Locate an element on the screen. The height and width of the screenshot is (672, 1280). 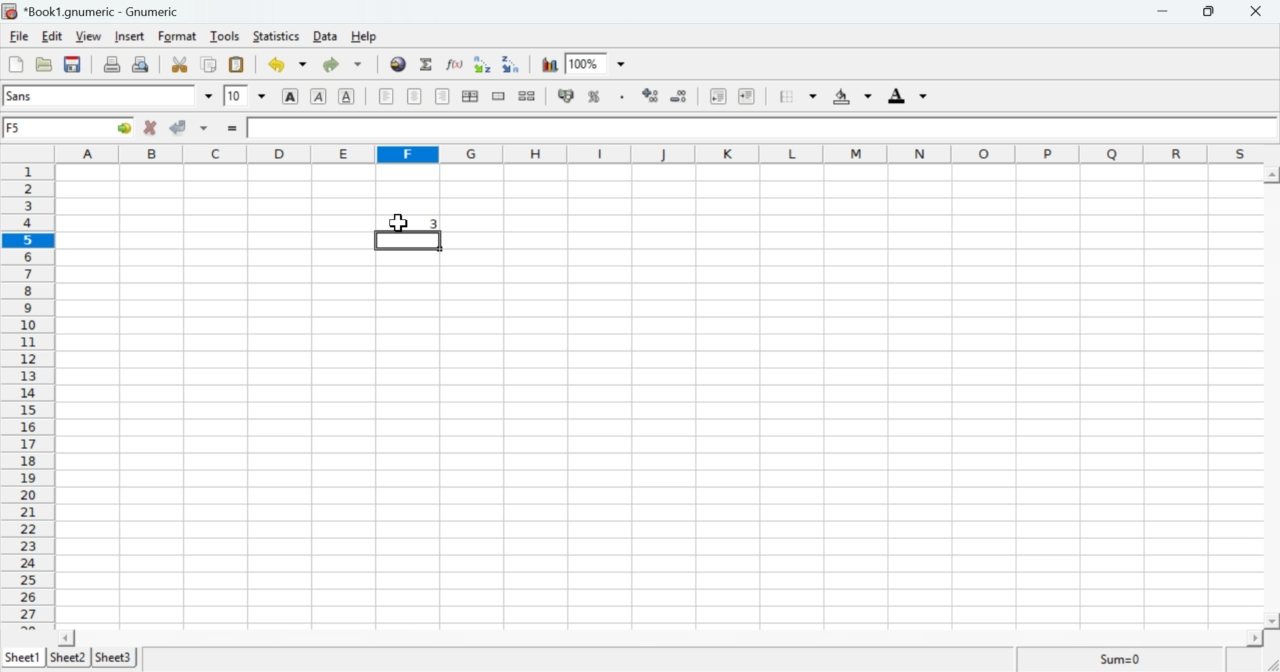
Cut is located at coordinates (180, 63).